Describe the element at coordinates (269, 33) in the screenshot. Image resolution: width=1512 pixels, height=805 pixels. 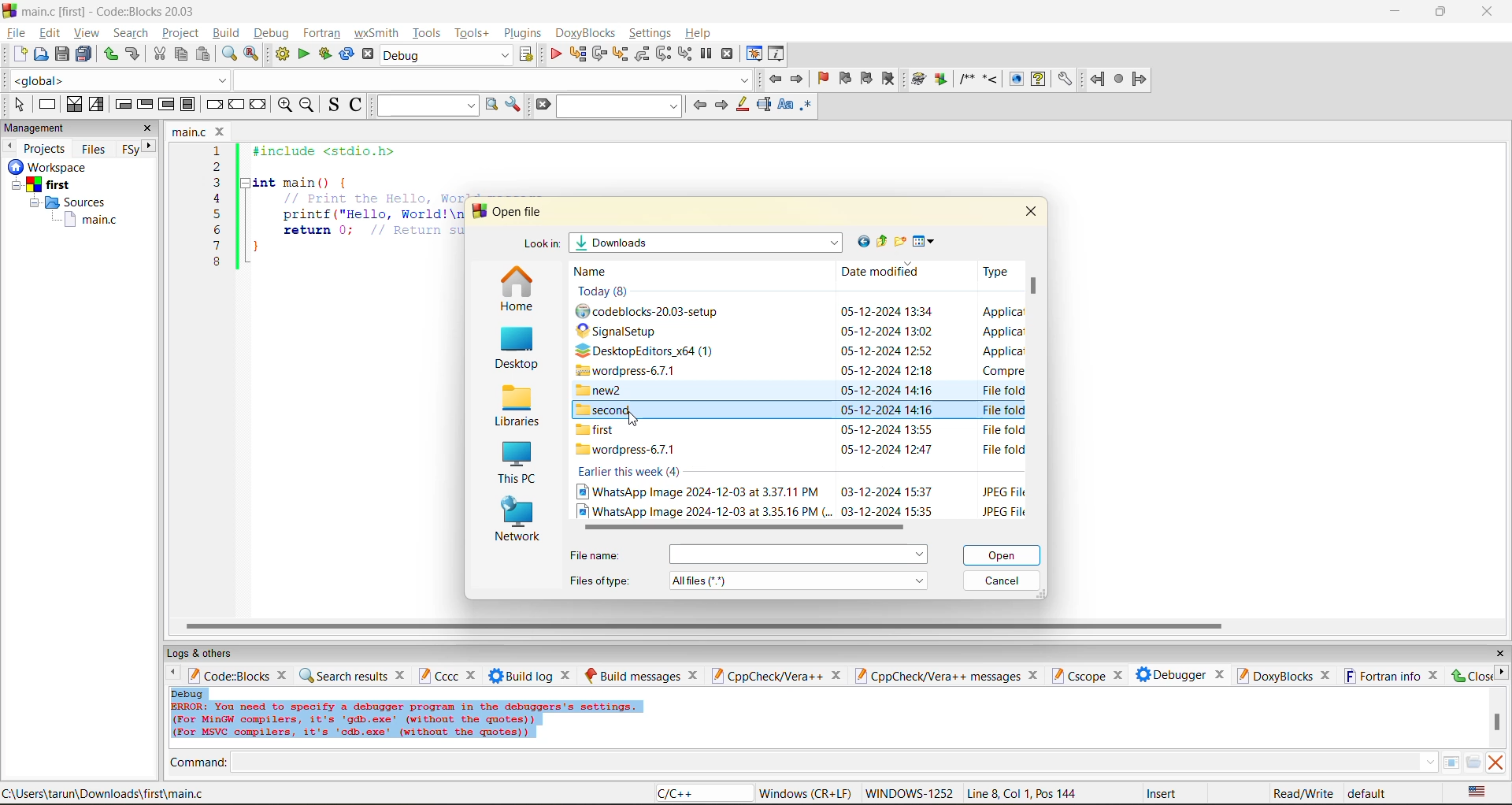
I see `debug` at that location.